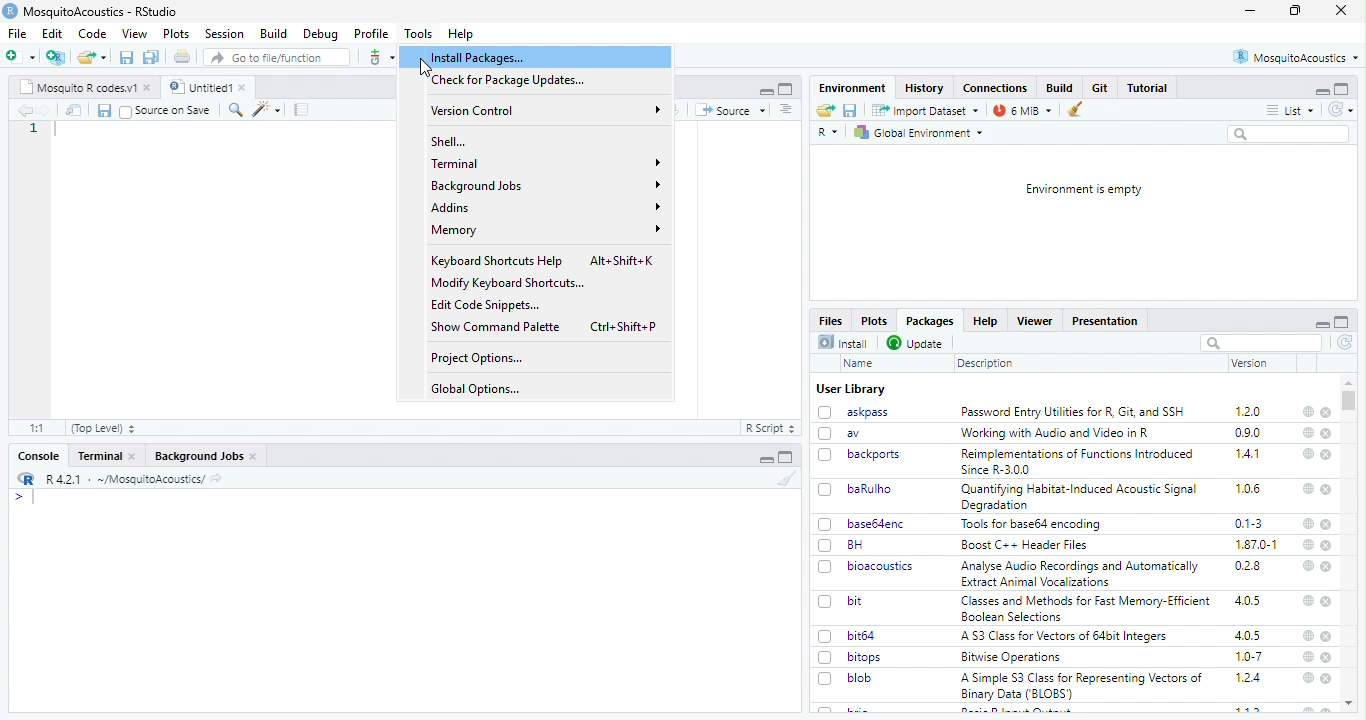  Describe the element at coordinates (731, 111) in the screenshot. I see `Source` at that location.